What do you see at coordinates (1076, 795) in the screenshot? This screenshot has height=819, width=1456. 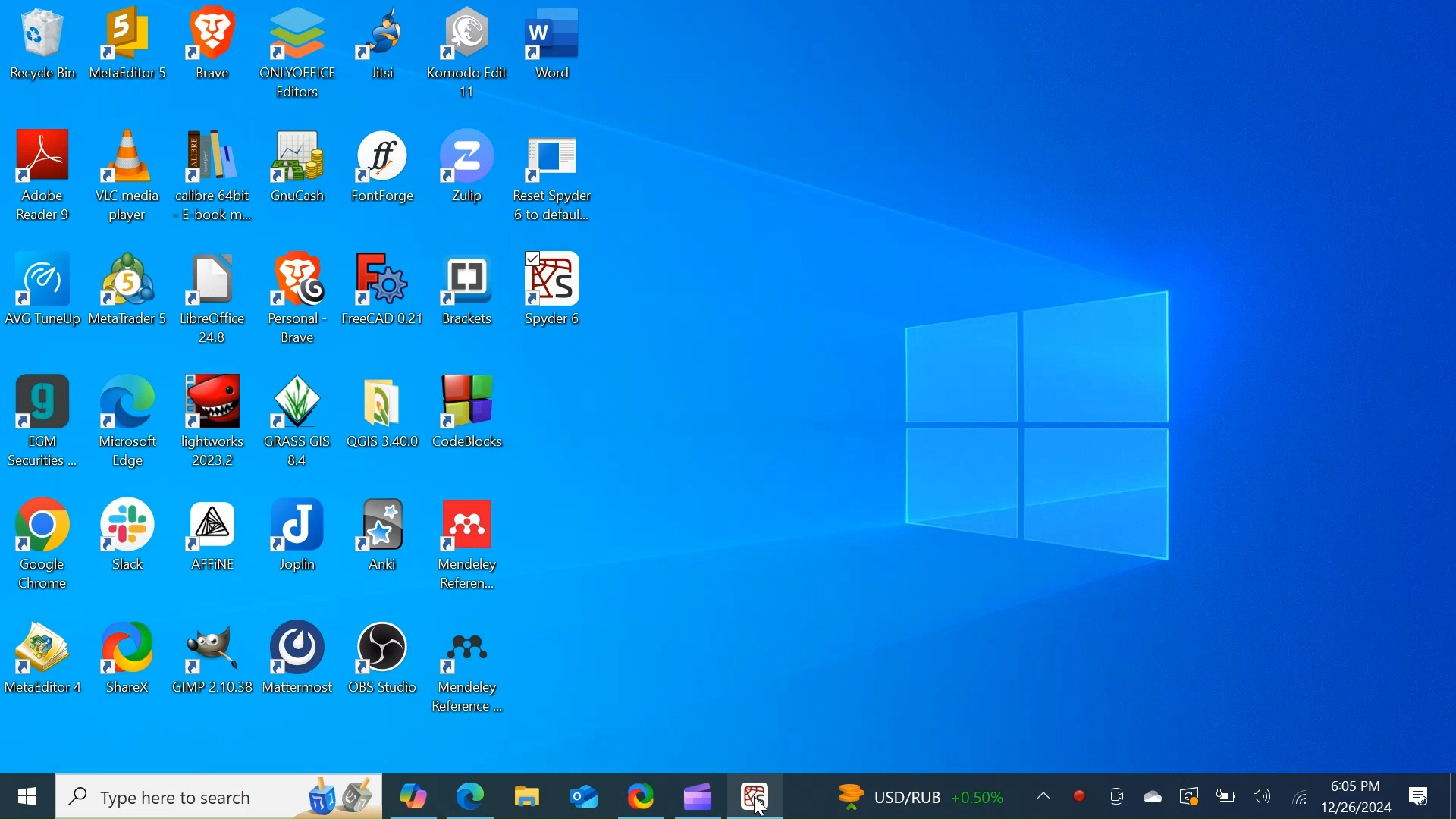 I see `Record` at bounding box center [1076, 795].